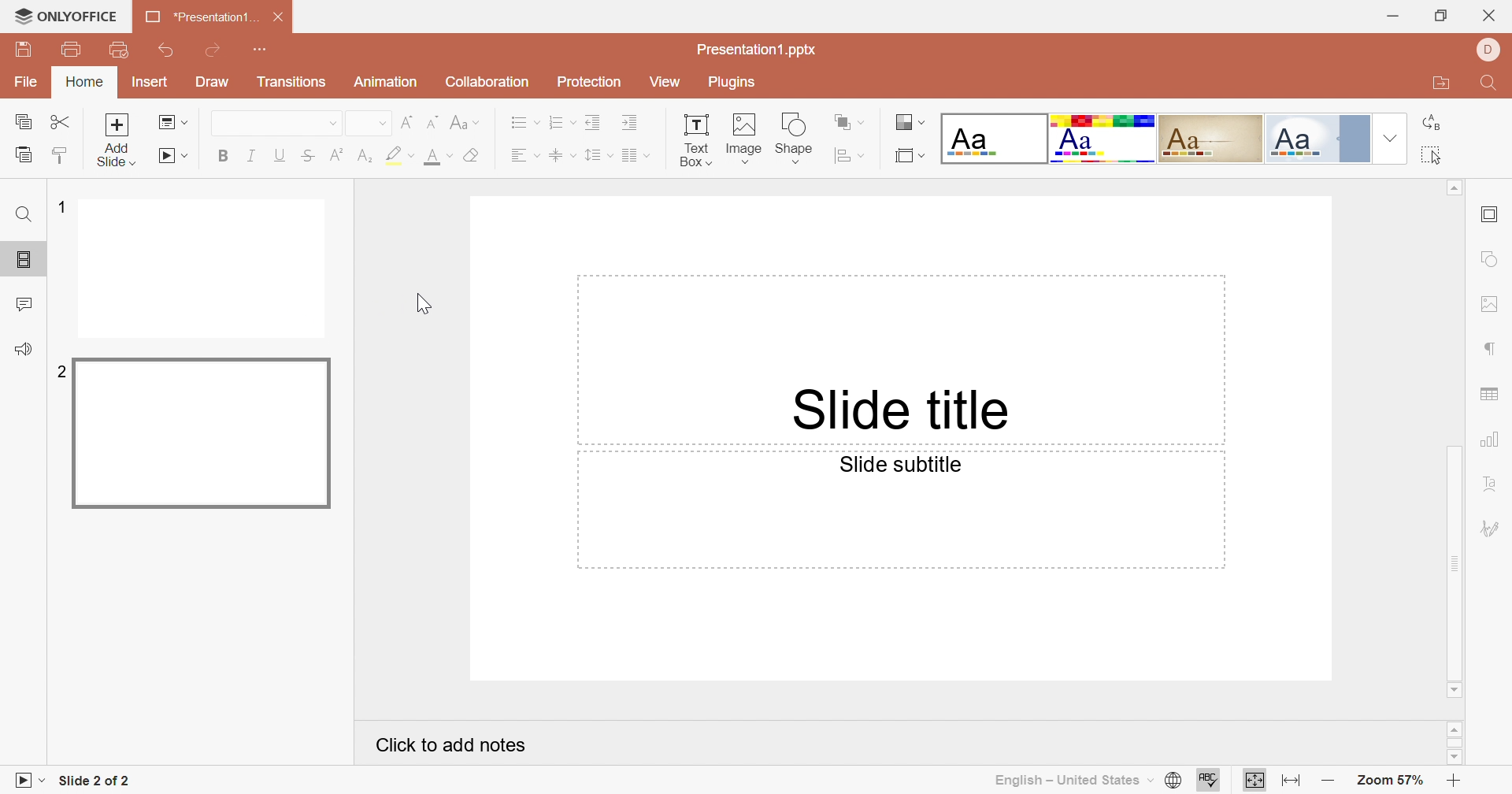 The image size is (1512, 794). What do you see at coordinates (1492, 350) in the screenshot?
I see `Paragraph settings` at bounding box center [1492, 350].